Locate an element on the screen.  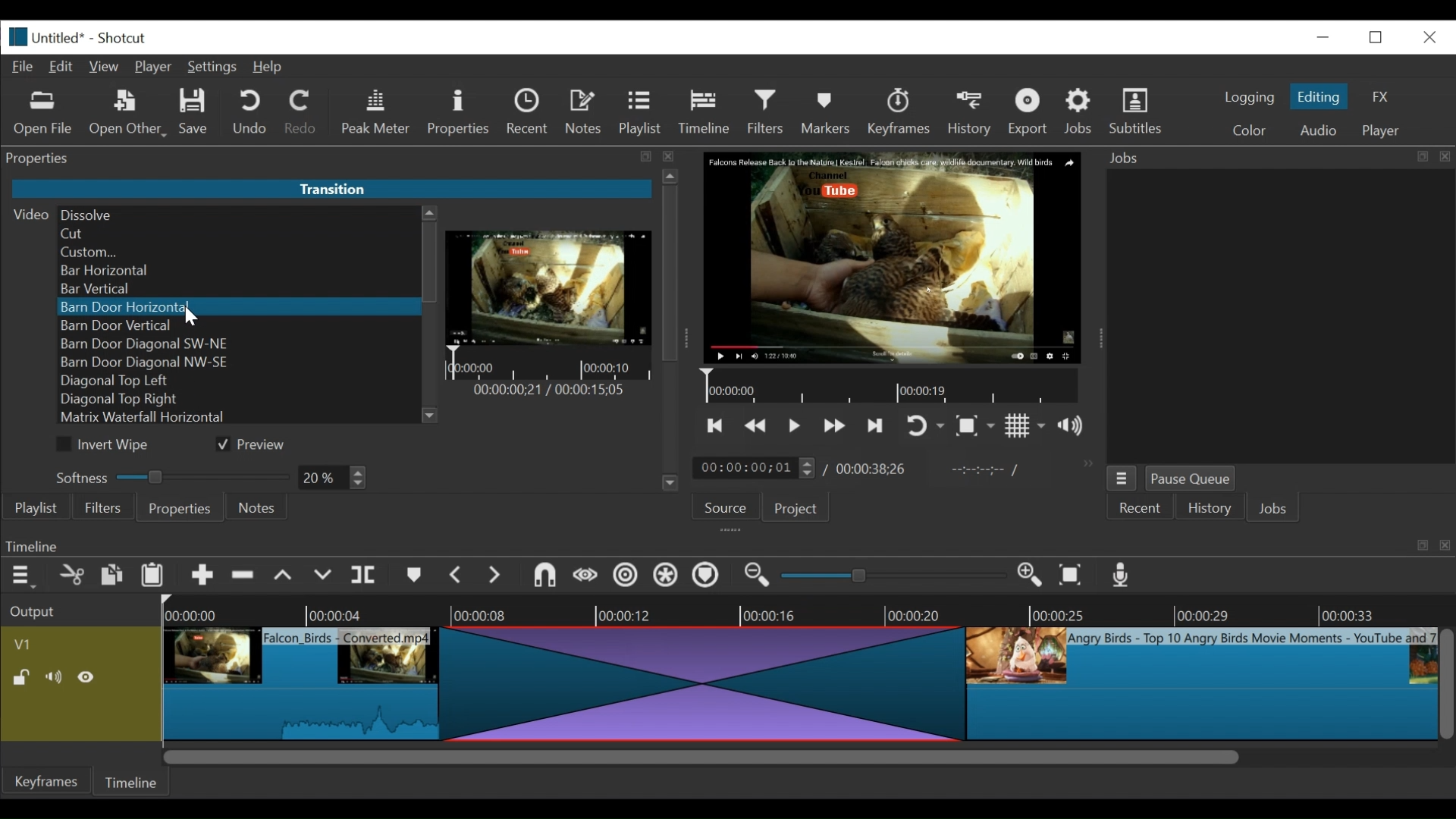
View is located at coordinates (105, 67).